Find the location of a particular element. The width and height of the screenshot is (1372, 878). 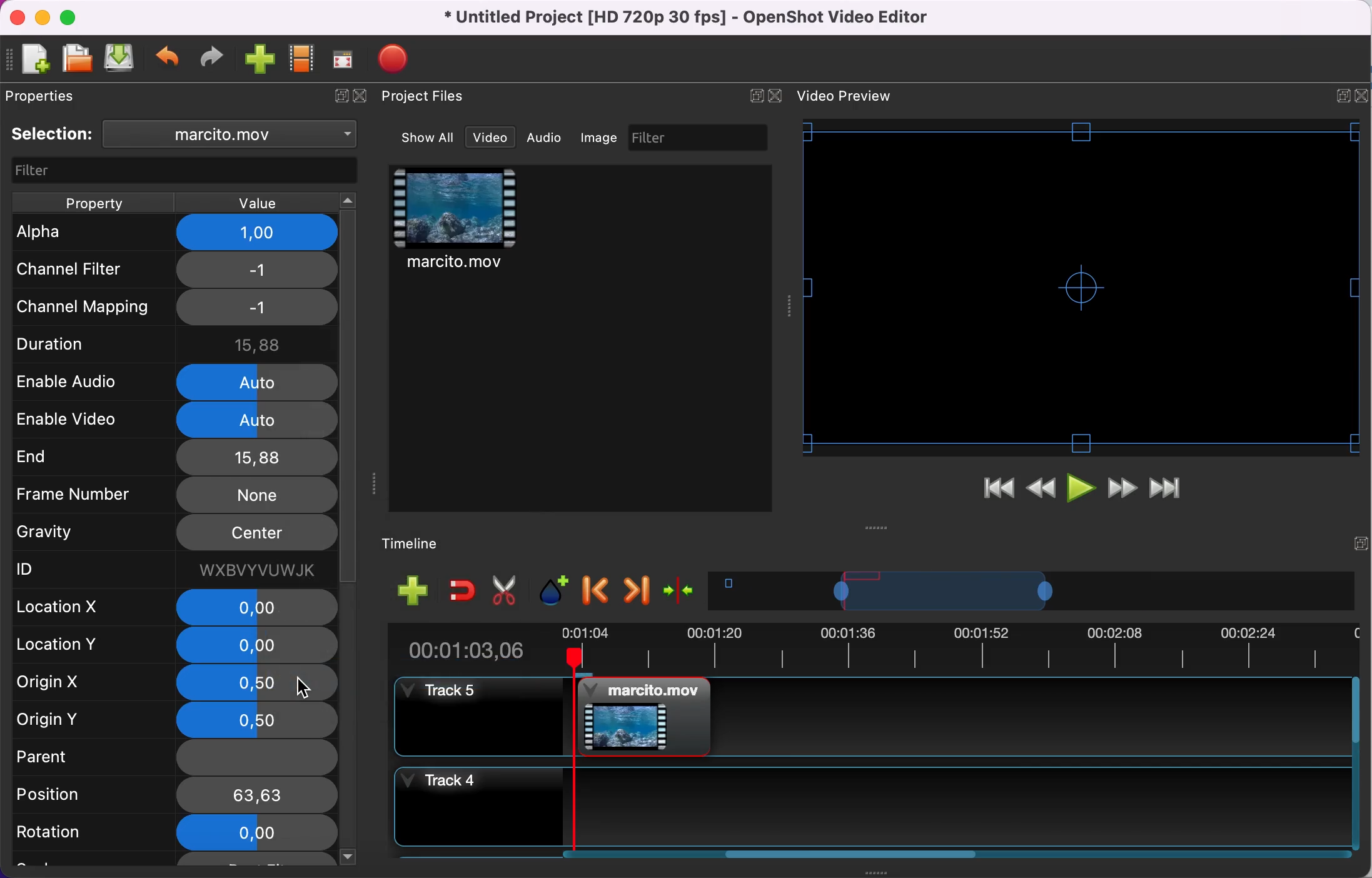

timeline is located at coordinates (1032, 590).